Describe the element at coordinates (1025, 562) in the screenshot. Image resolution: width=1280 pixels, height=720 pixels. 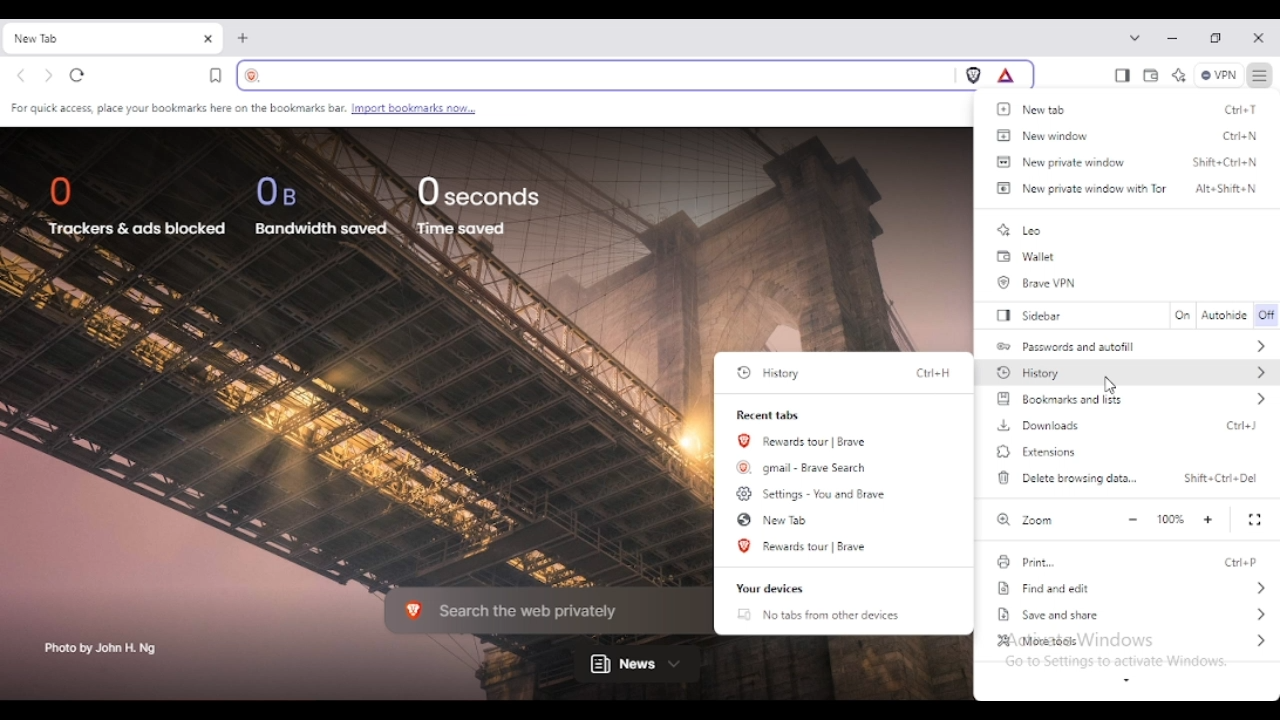
I see `print` at that location.